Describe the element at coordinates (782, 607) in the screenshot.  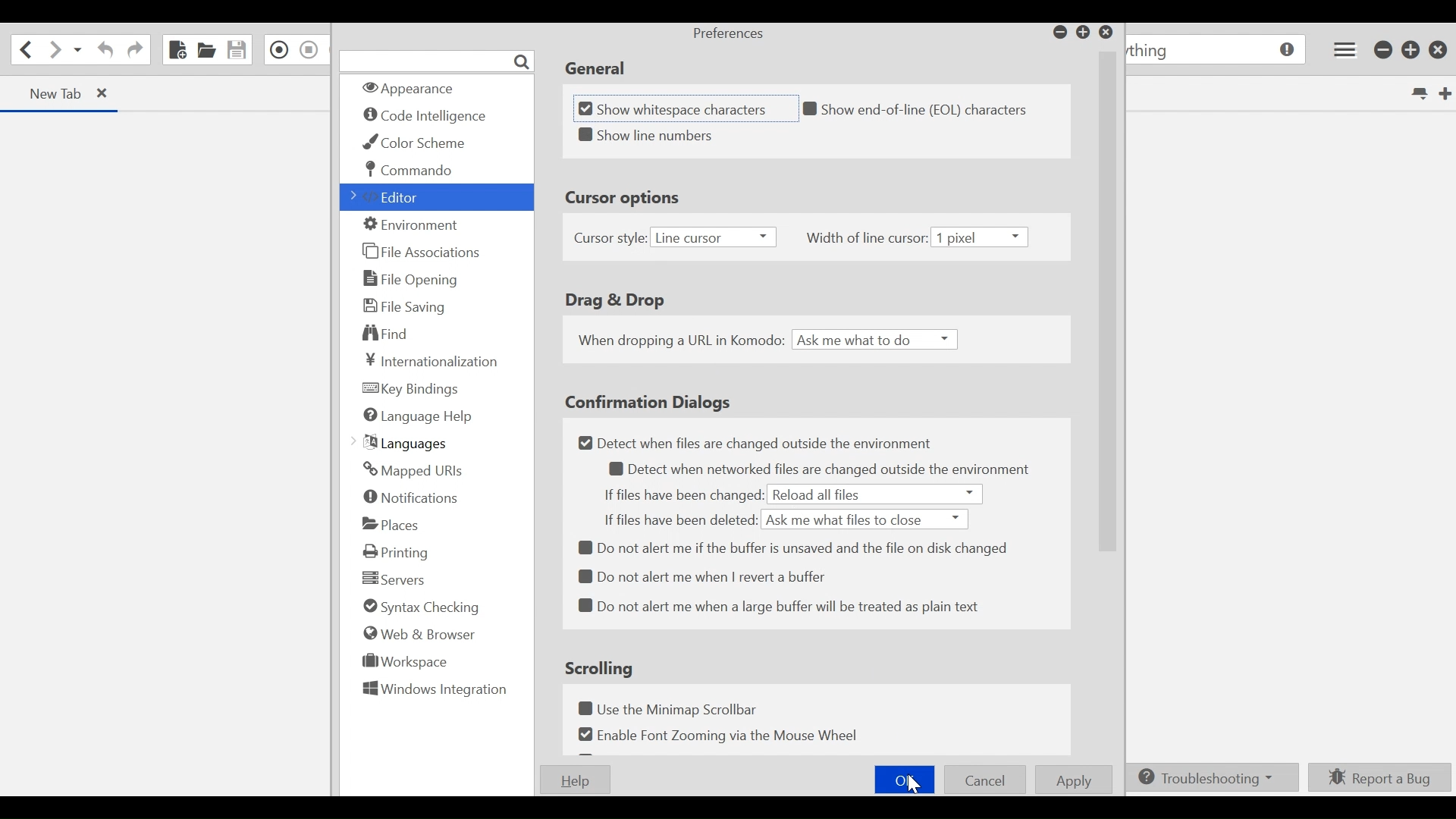
I see `Do not alert me when a large buffer will be treated as plain text` at that location.